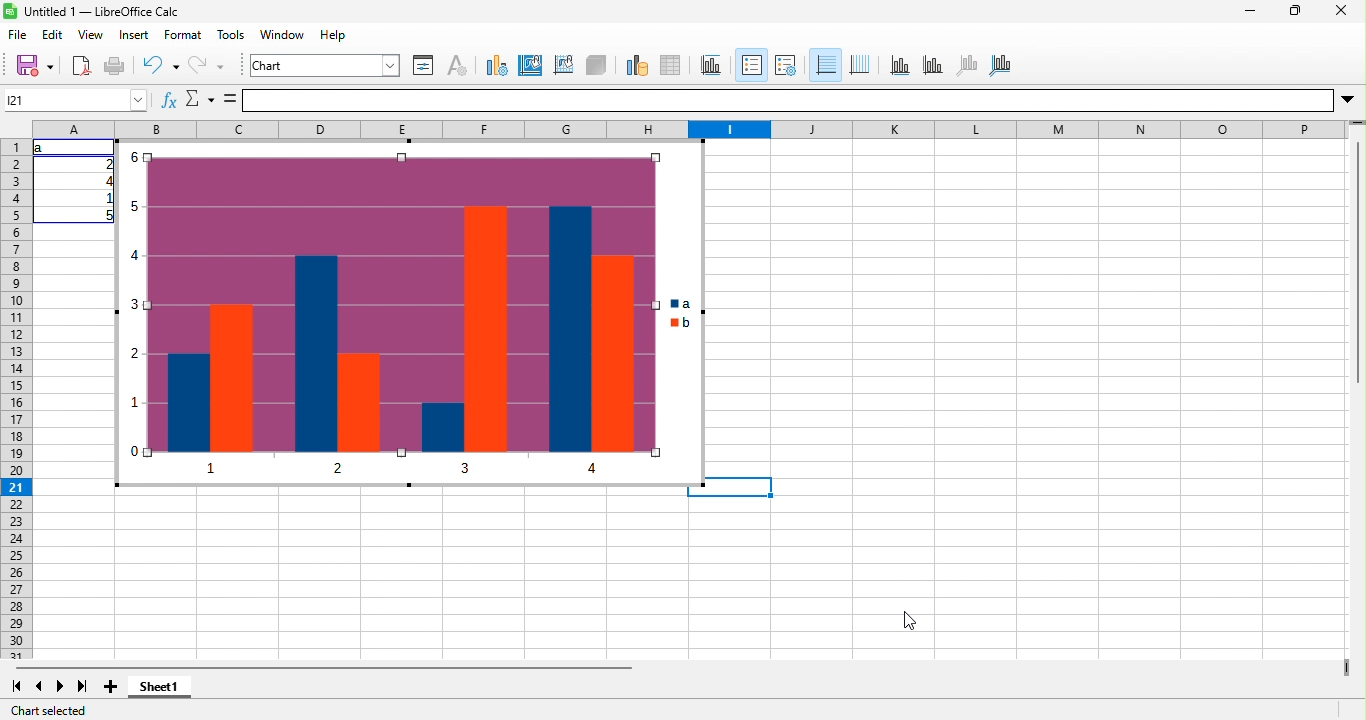  I want to click on minimize, so click(1250, 11).